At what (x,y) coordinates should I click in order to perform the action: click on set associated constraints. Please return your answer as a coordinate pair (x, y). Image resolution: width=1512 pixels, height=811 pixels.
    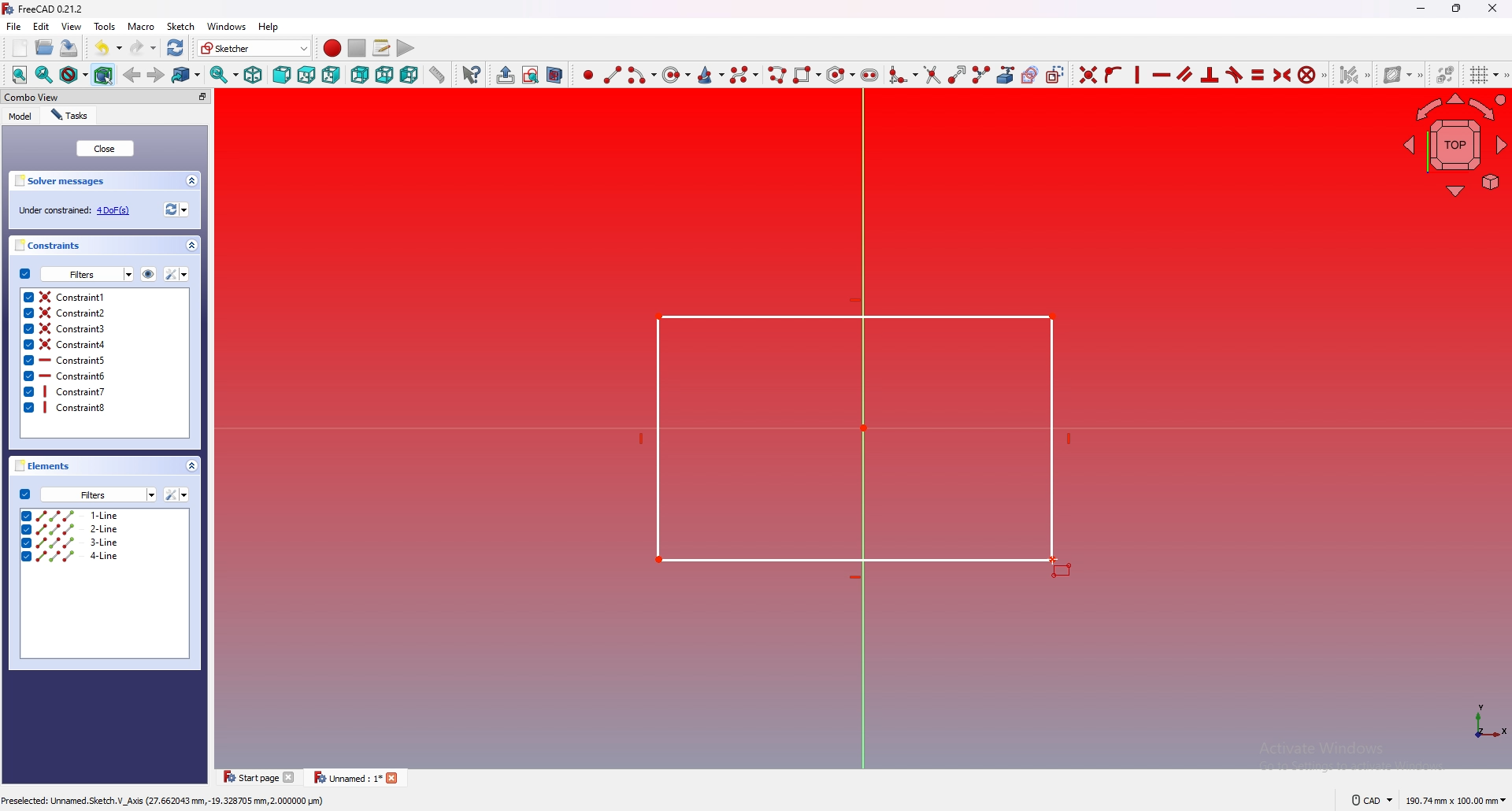
    Looking at the image, I should click on (1354, 75).